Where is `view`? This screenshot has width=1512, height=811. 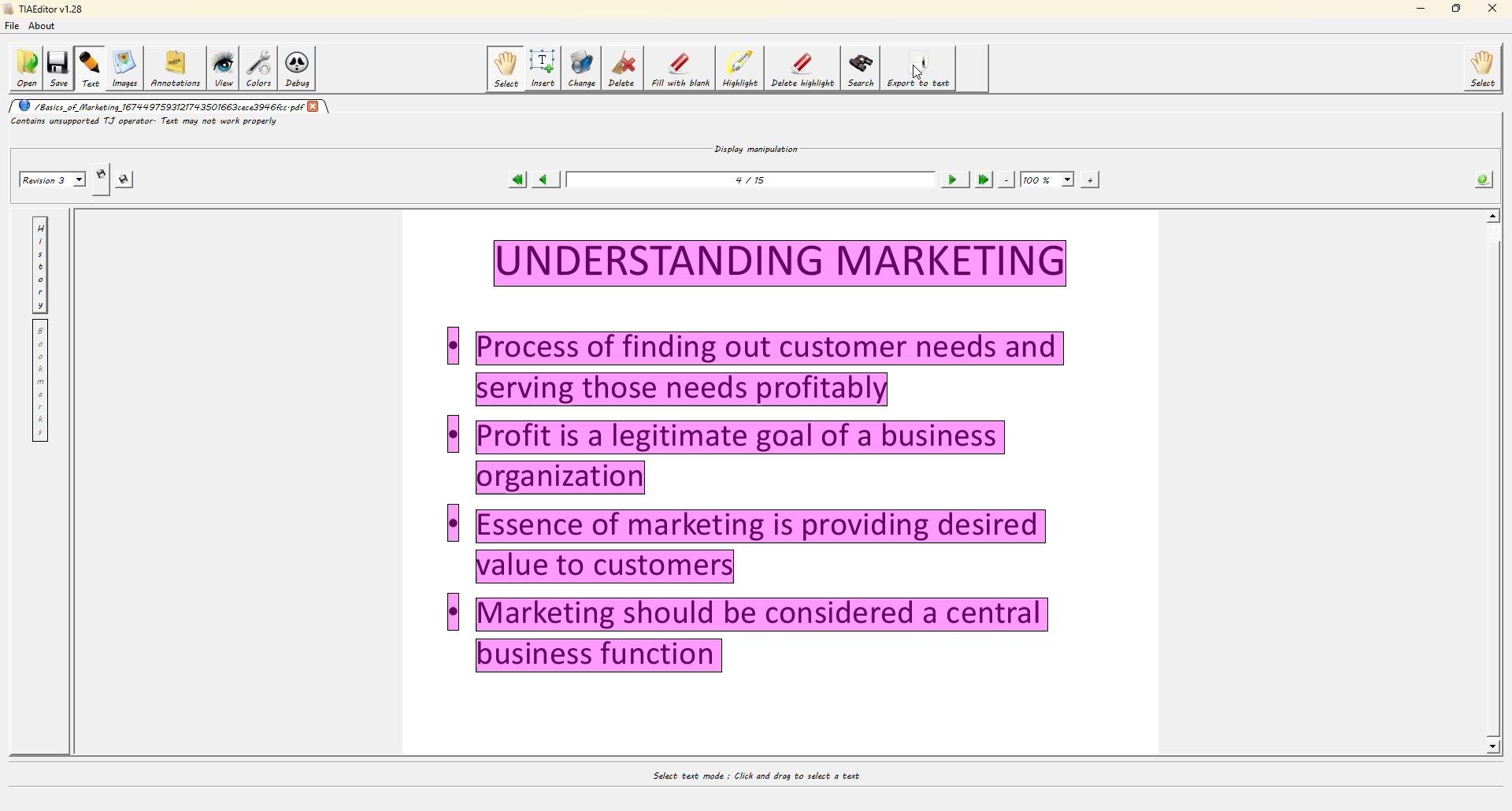 view is located at coordinates (221, 70).